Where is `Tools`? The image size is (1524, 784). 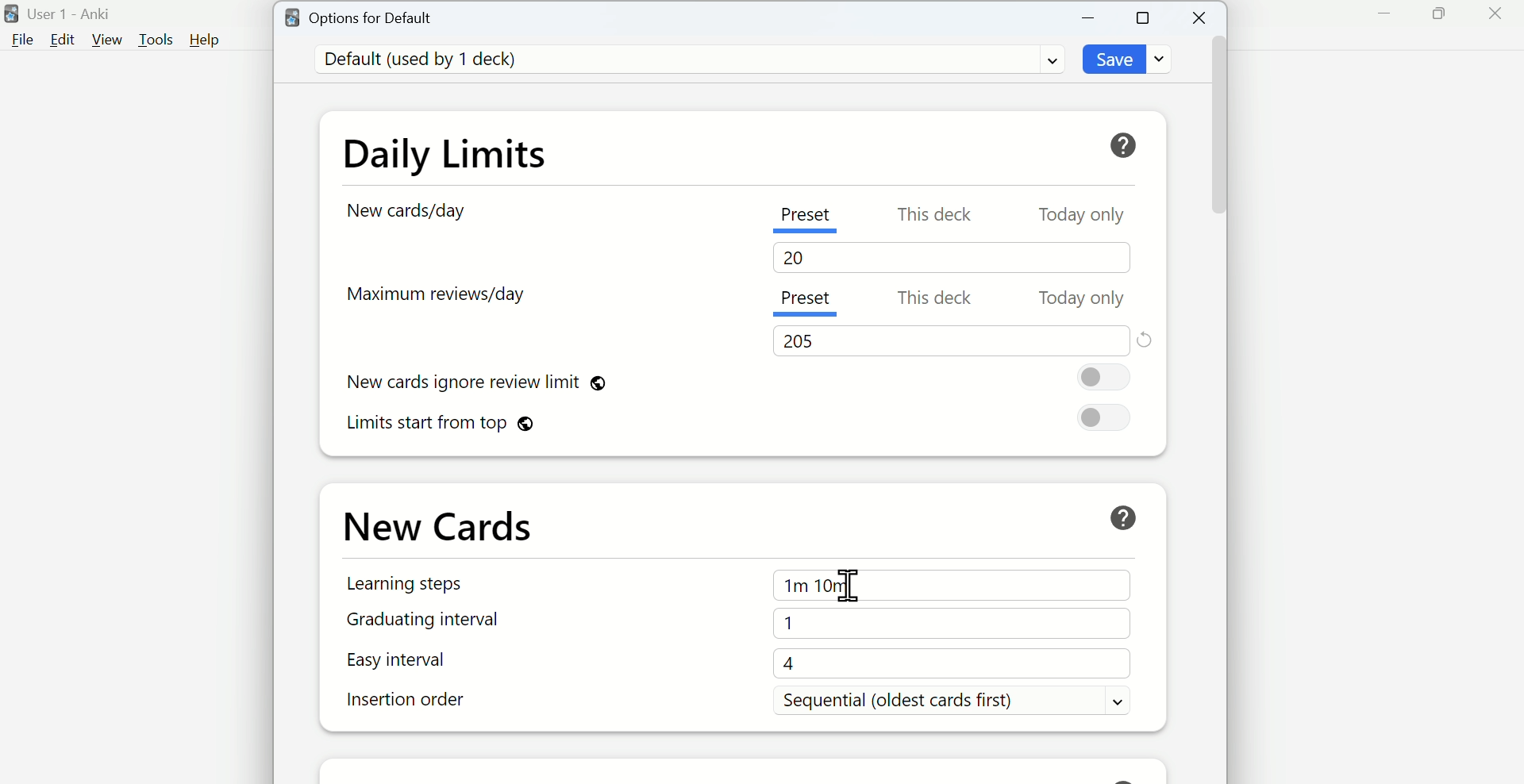 Tools is located at coordinates (155, 40).